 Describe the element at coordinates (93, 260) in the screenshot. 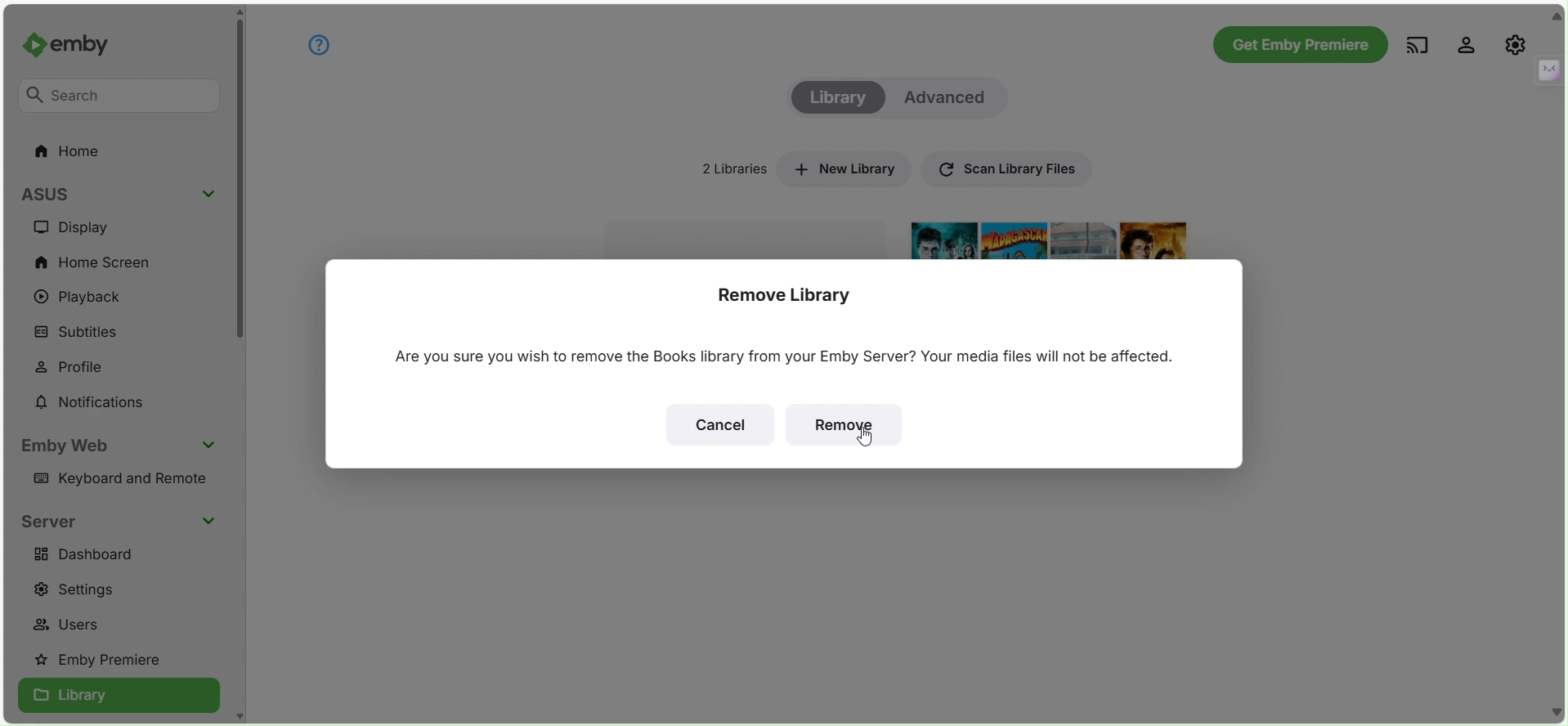

I see `Home Screen` at that location.